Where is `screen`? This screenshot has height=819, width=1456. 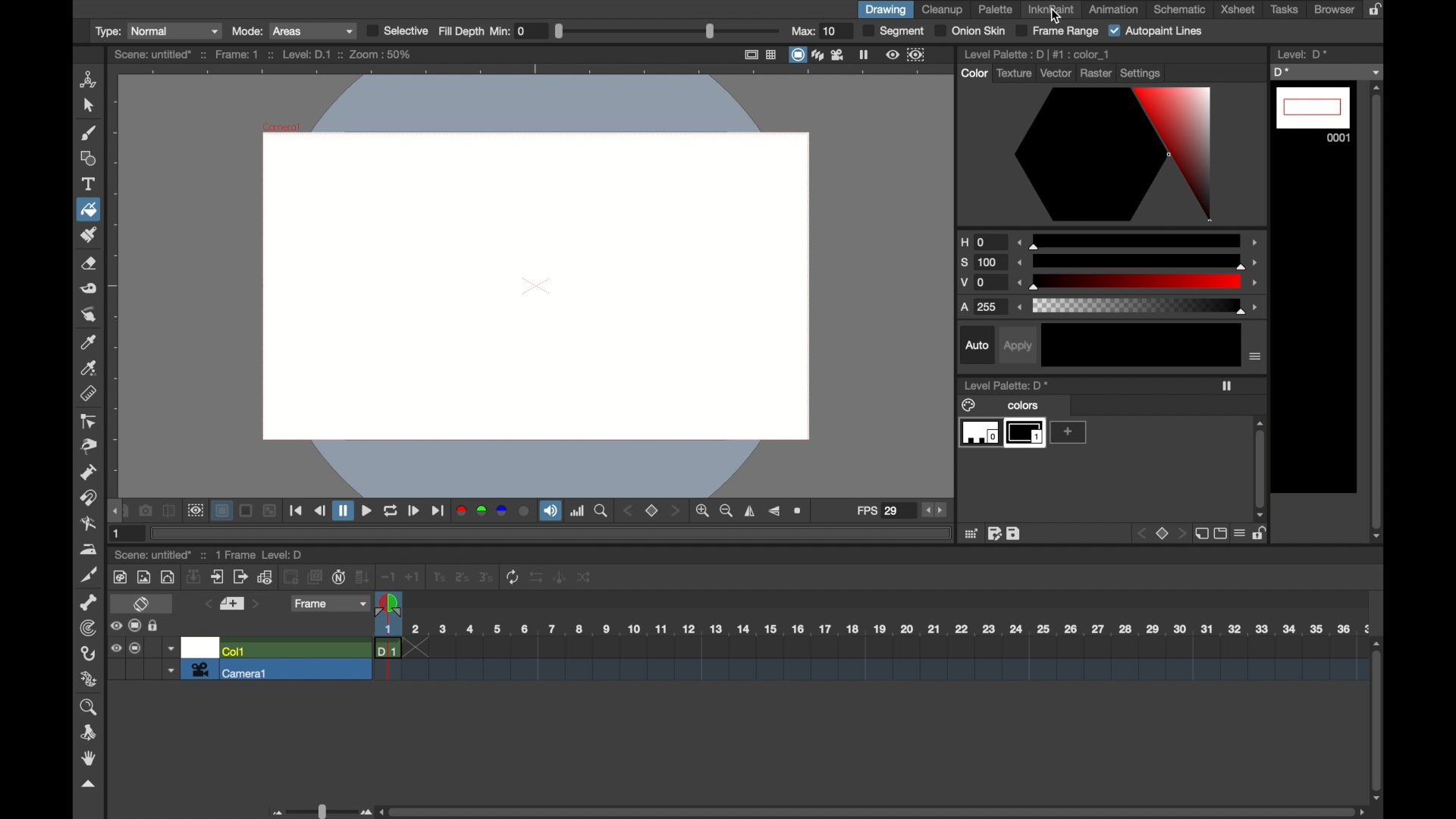 screen is located at coordinates (136, 648).